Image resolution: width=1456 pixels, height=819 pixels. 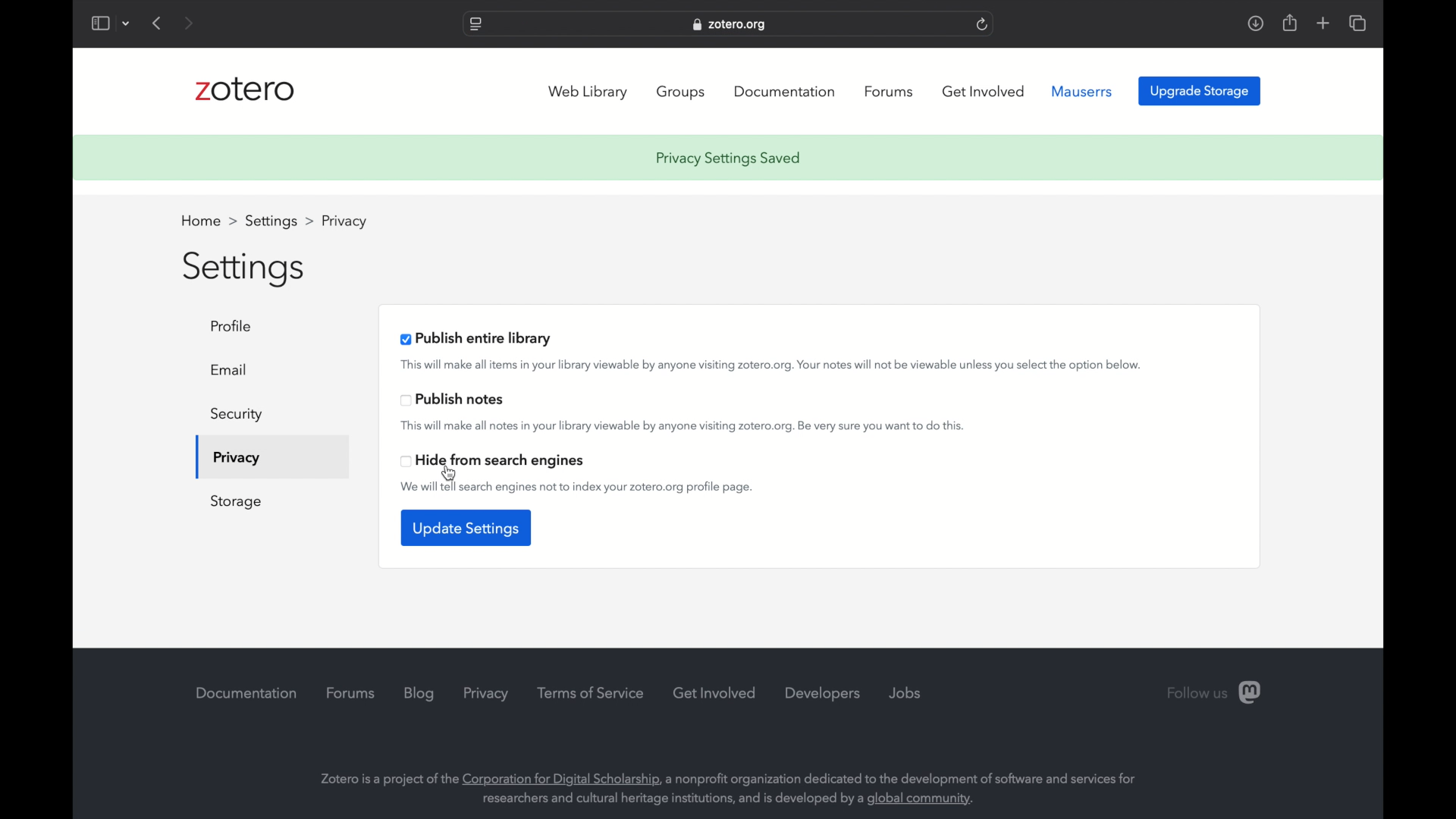 I want to click on publish entire library, so click(x=476, y=337).